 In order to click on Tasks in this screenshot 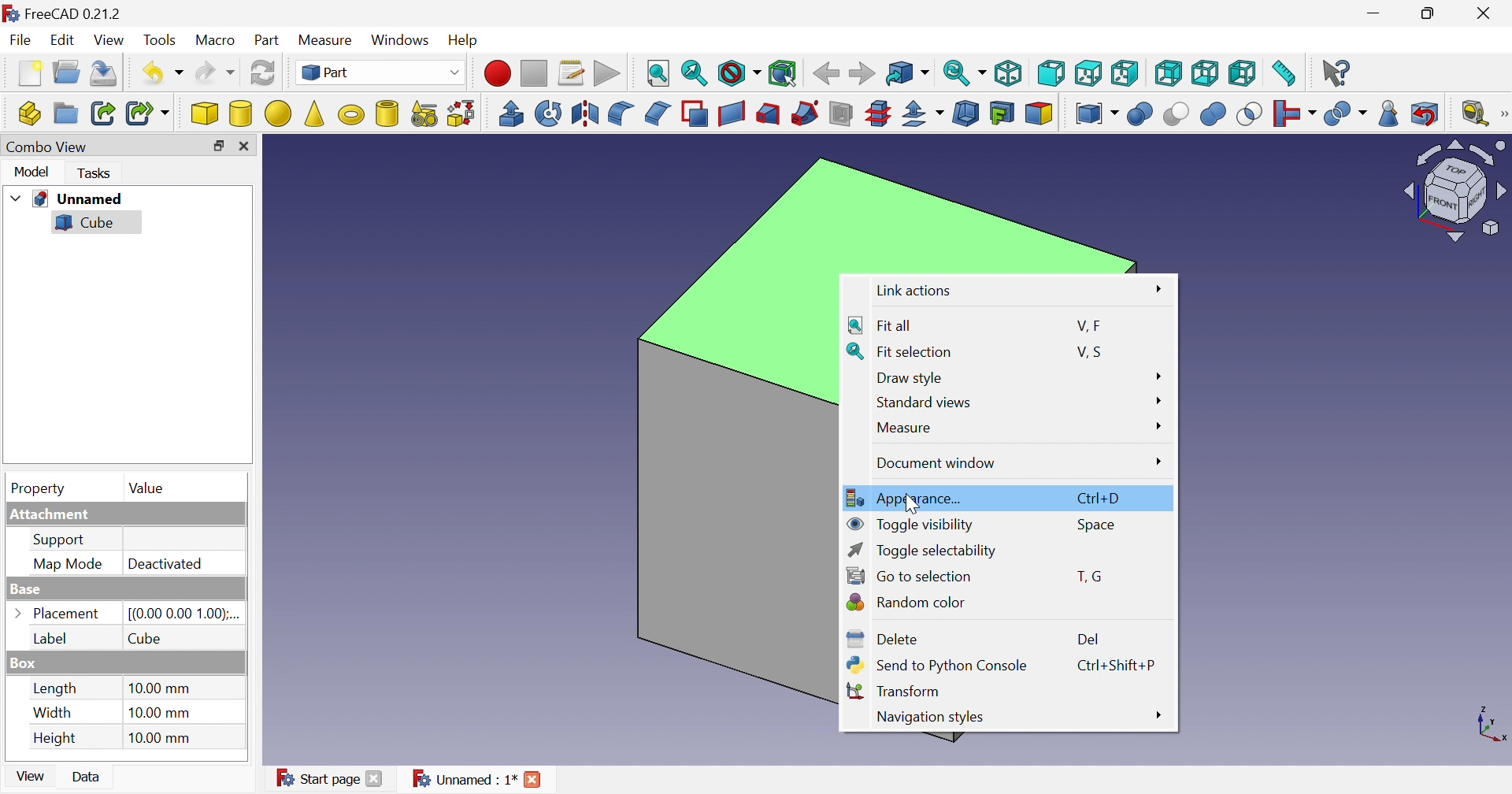, I will do `click(97, 173)`.